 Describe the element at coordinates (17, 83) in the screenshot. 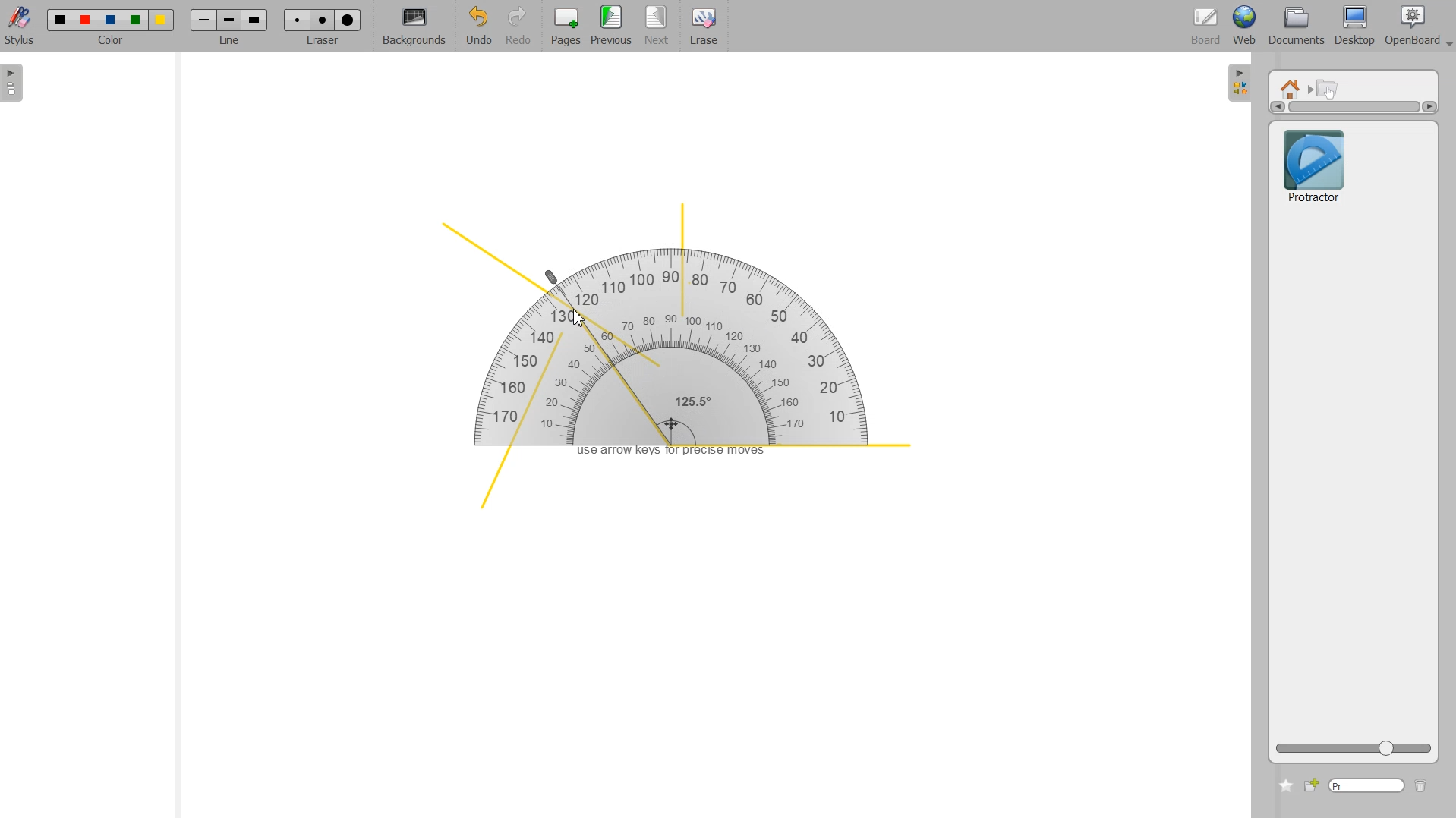

I see `Sidebar` at that location.